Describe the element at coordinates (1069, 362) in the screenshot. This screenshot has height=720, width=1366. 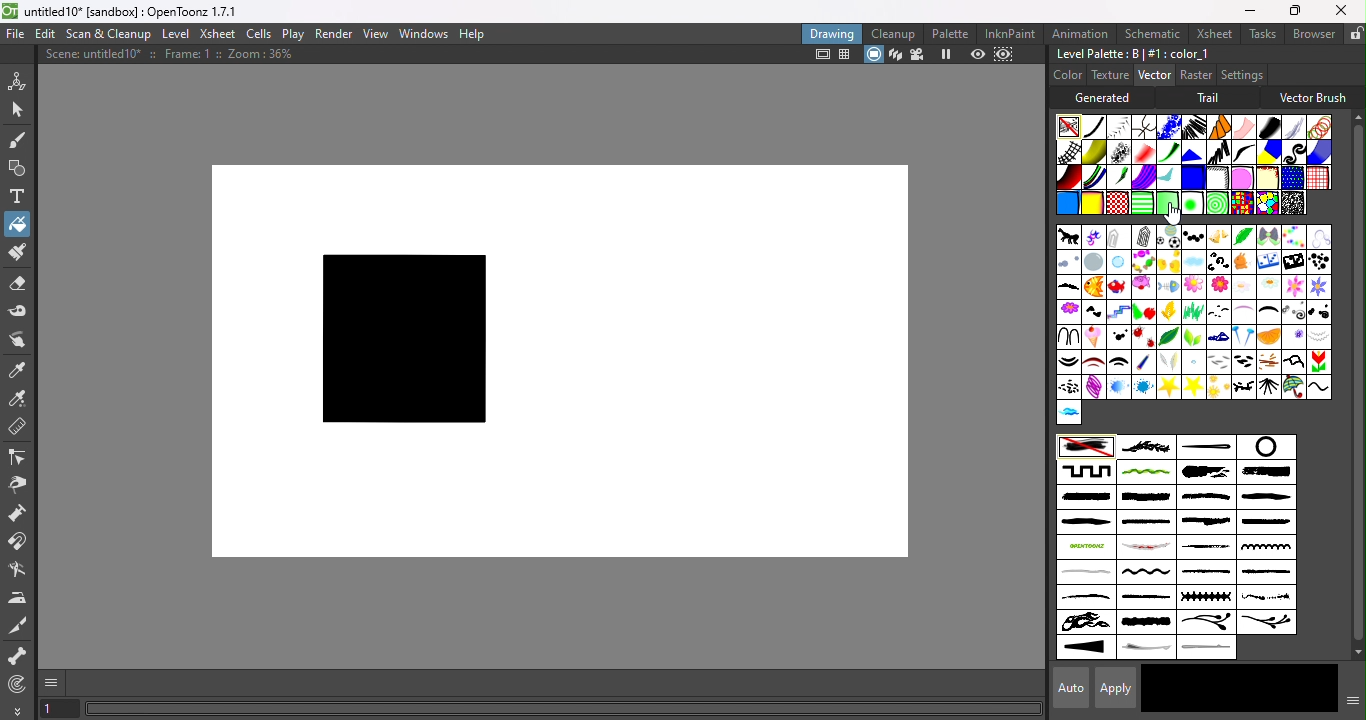
I see `pare` at that location.